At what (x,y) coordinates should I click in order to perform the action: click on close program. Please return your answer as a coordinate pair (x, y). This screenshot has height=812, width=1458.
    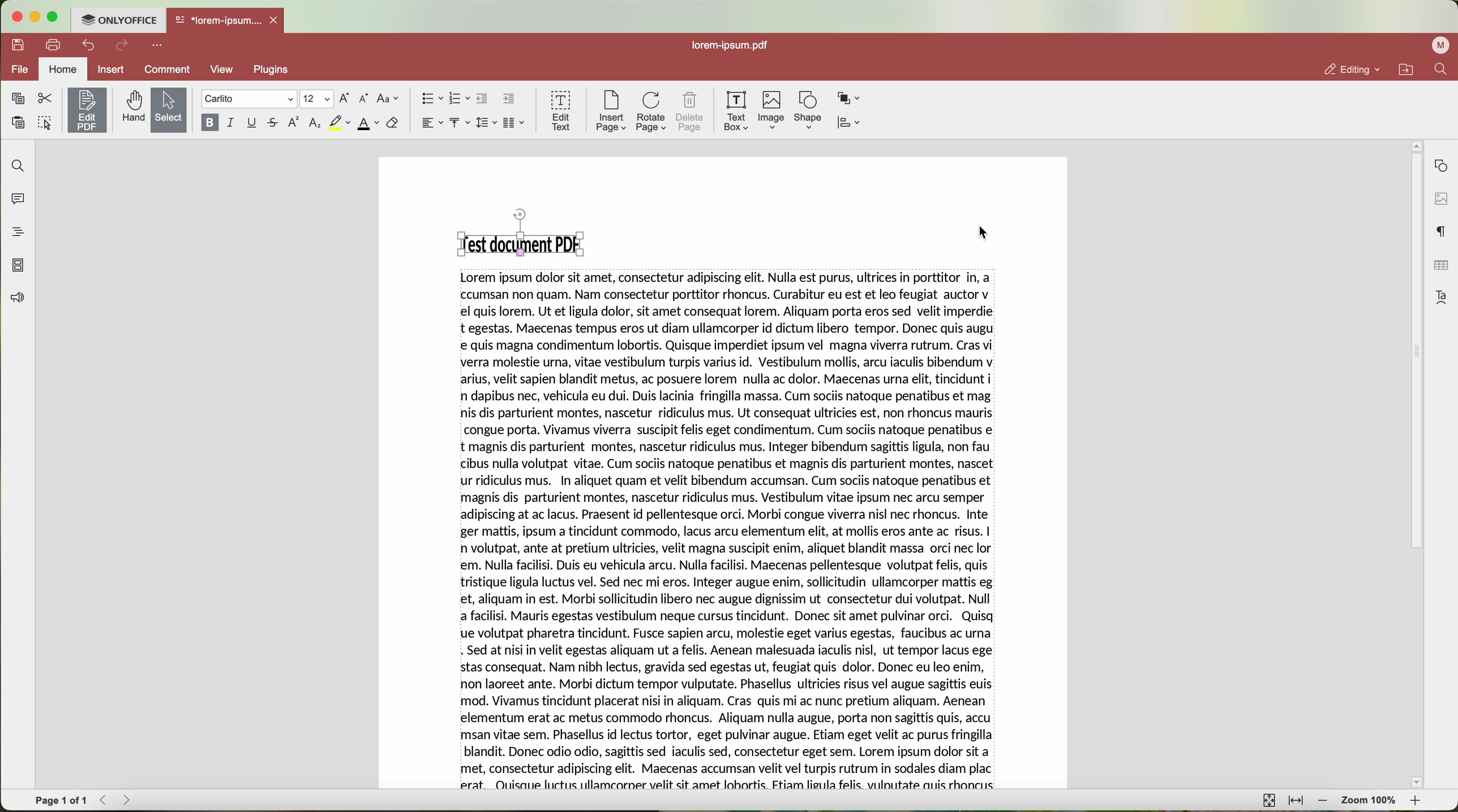
    Looking at the image, I should click on (19, 16).